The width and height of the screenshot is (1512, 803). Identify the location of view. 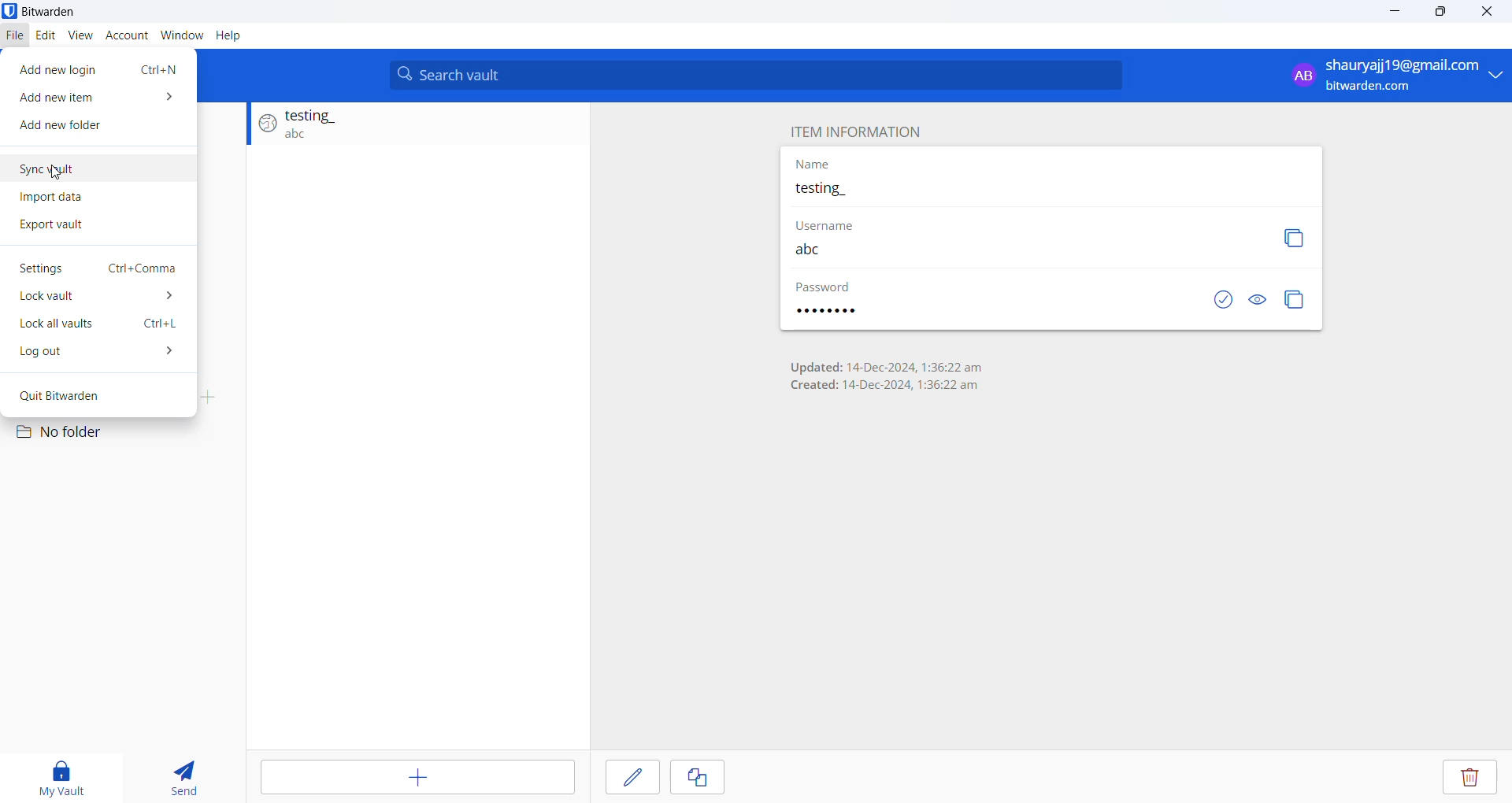
(80, 34).